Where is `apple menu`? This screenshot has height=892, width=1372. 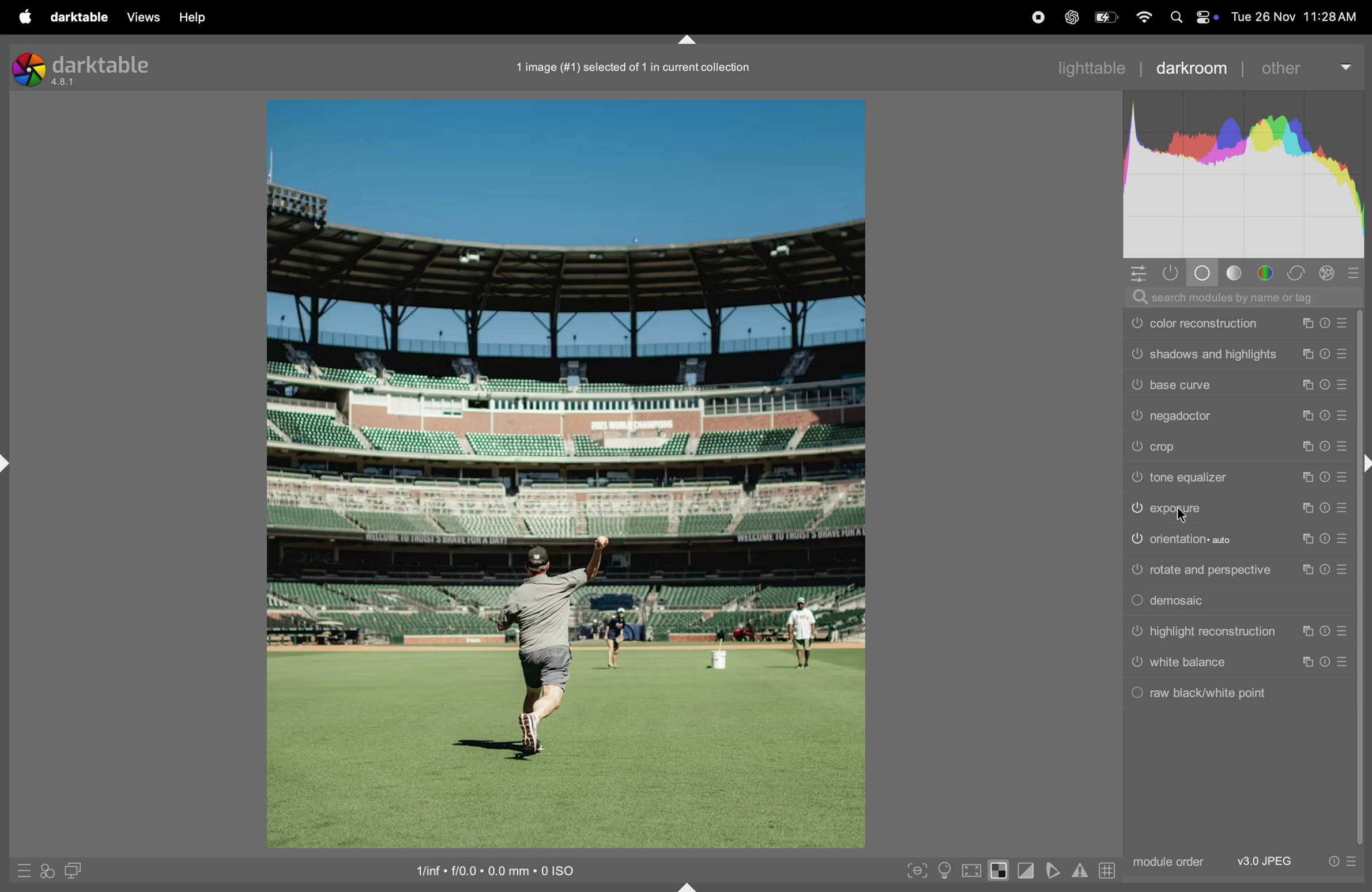
apple menu is located at coordinates (22, 17).